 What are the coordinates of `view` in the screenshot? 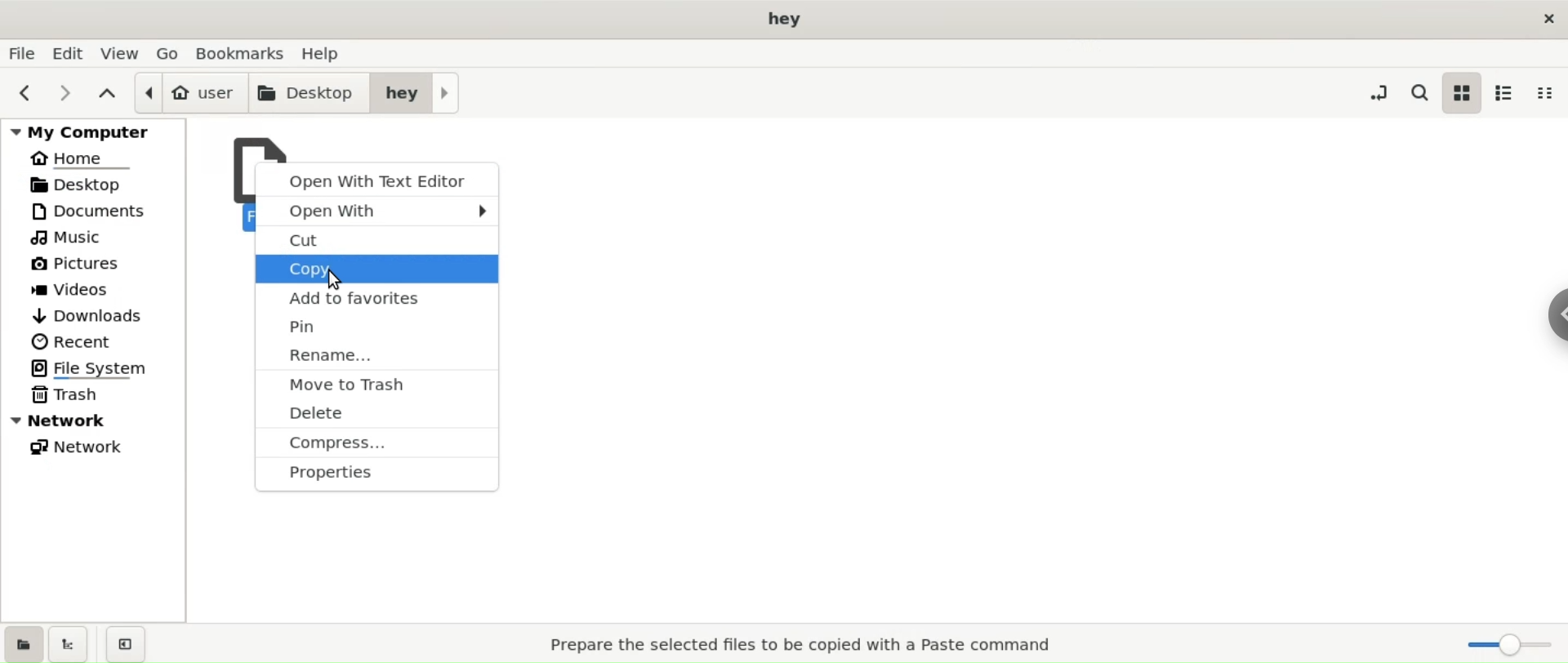 It's located at (121, 54).